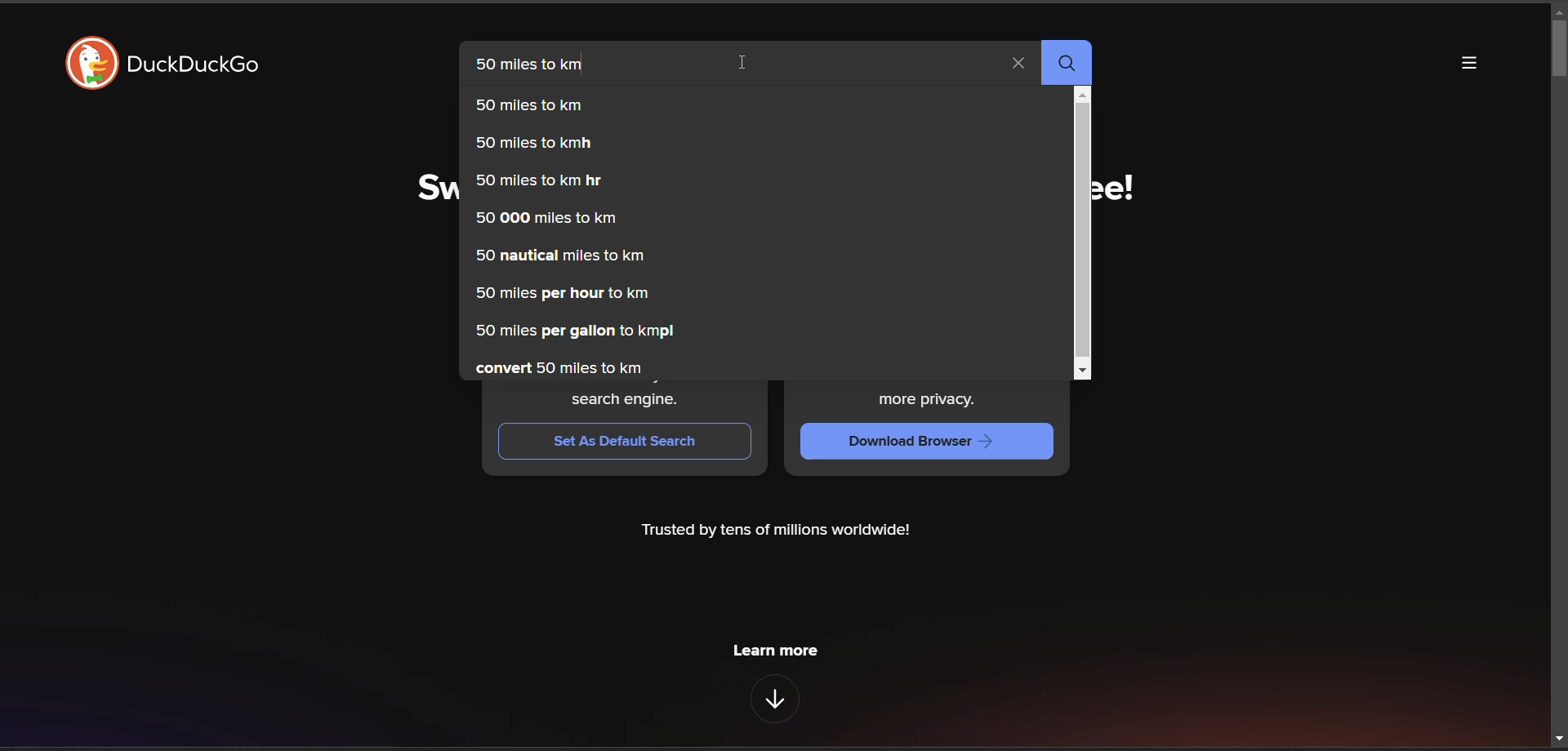  What do you see at coordinates (1558, 47) in the screenshot?
I see `vertical scroll bar` at bounding box center [1558, 47].